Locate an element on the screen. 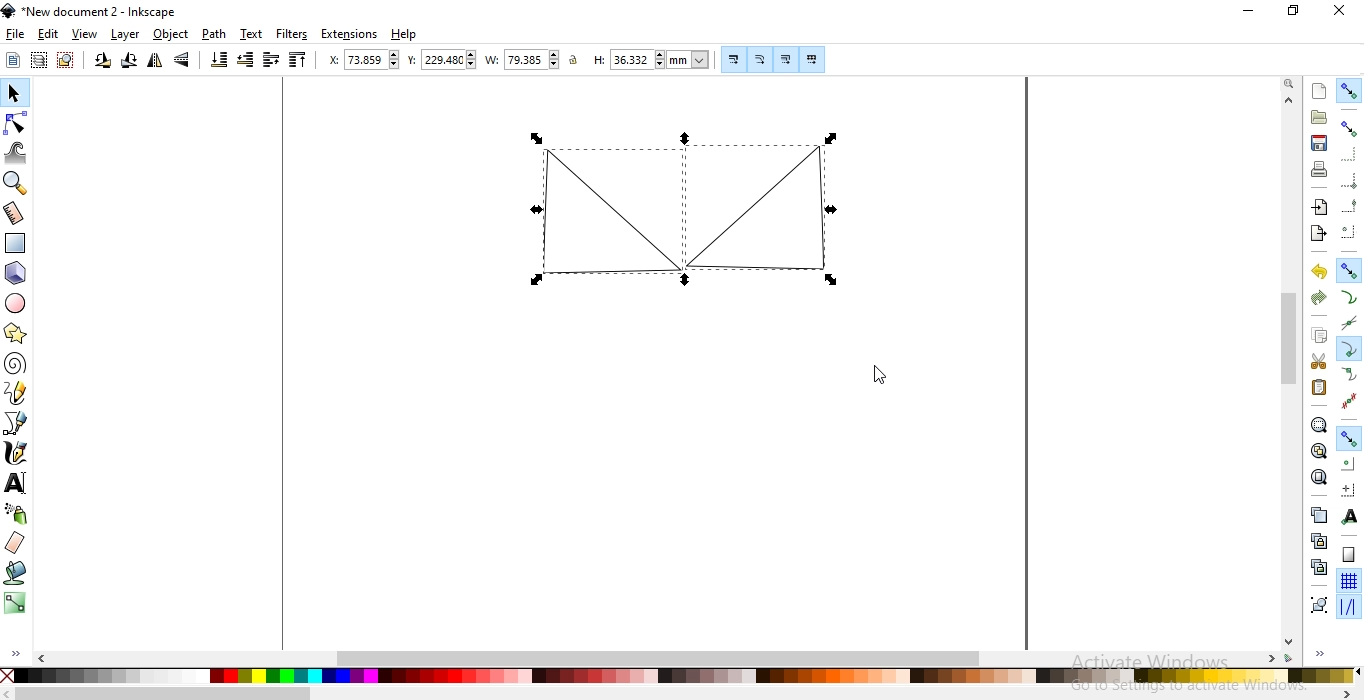  expand/hide sidebar is located at coordinates (1320, 652).